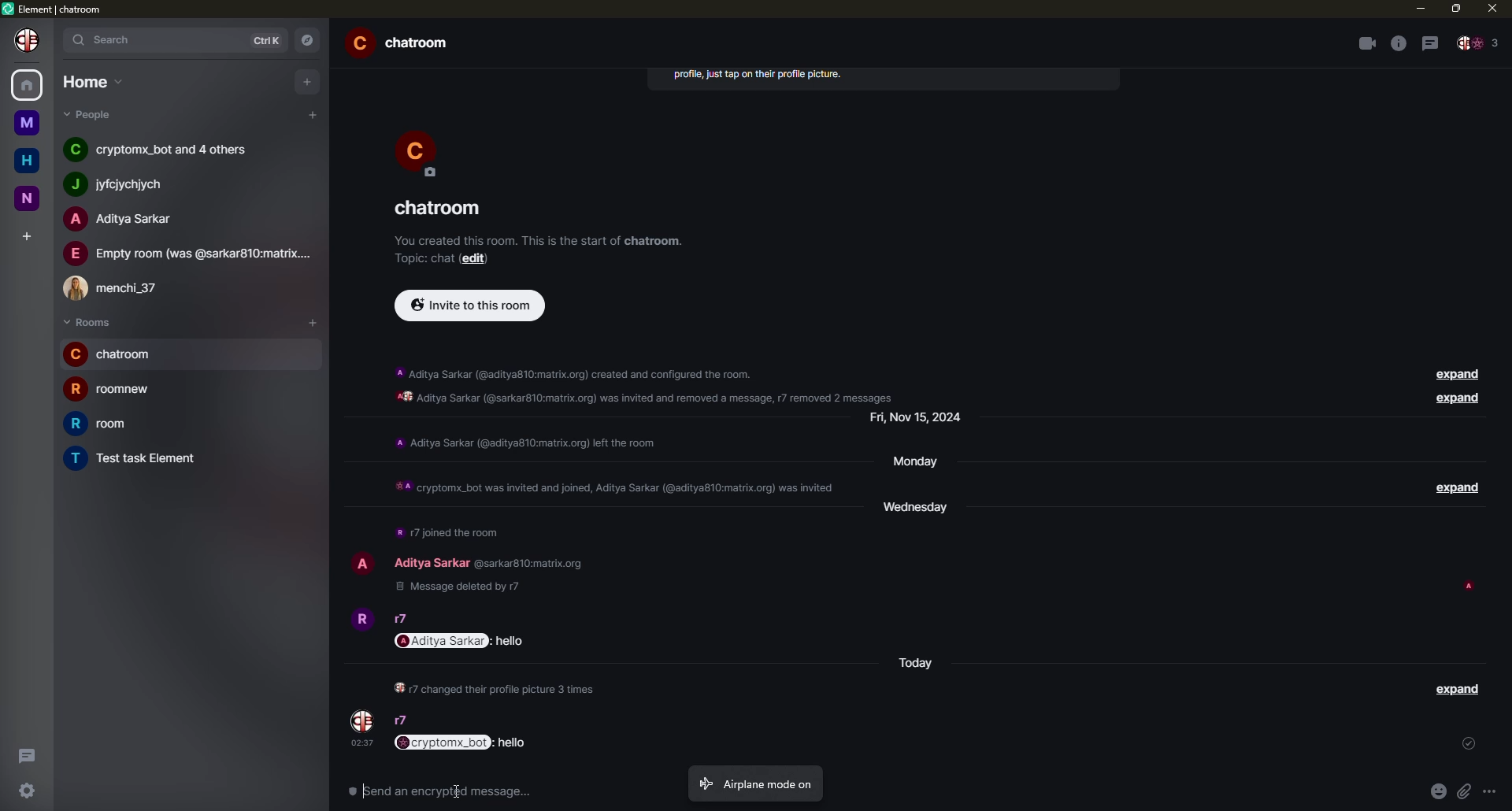 Image resolution: width=1512 pixels, height=811 pixels. Describe the element at coordinates (477, 258) in the screenshot. I see `edit` at that location.